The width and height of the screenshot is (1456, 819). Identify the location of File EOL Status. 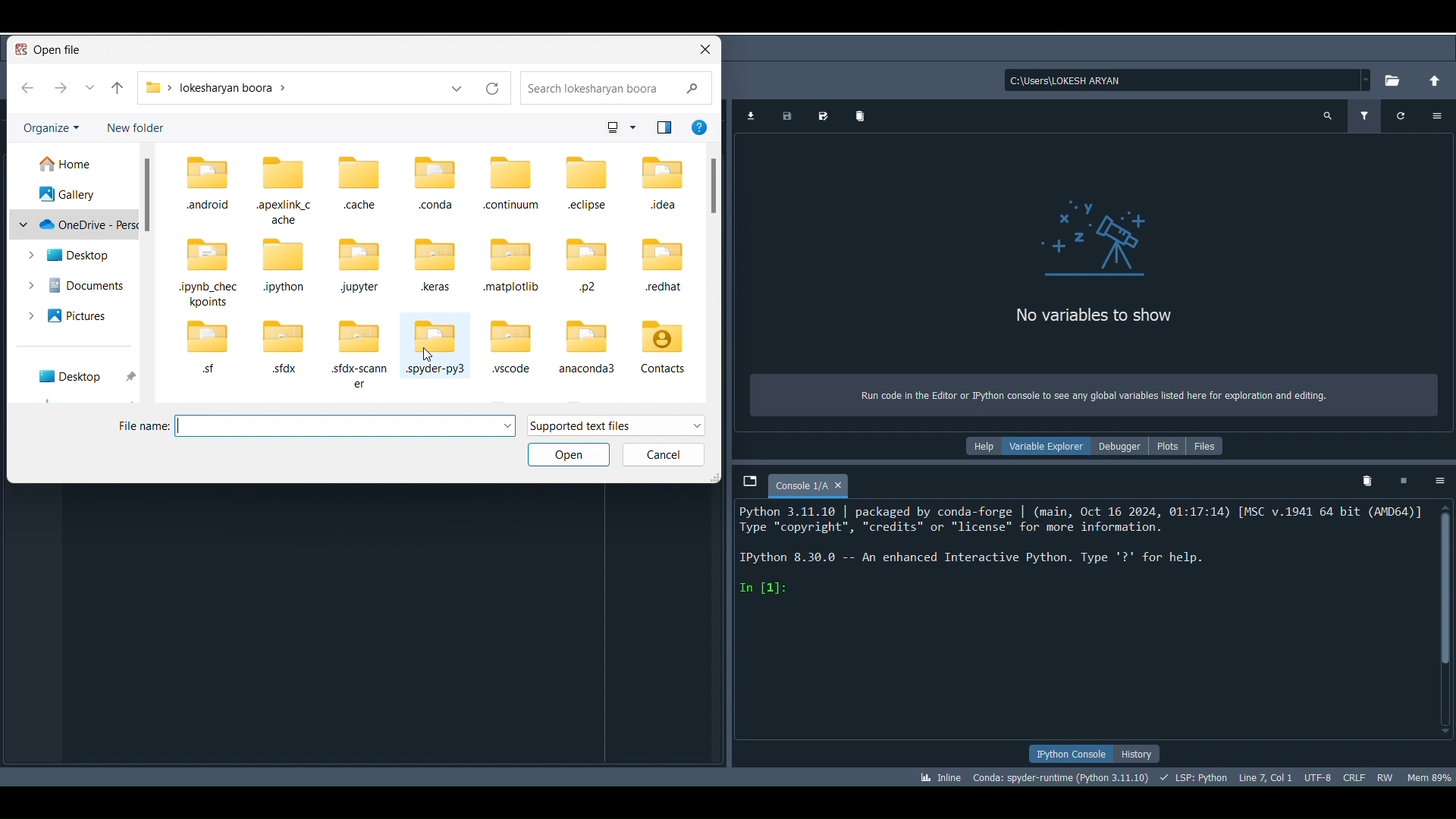
(1357, 773).